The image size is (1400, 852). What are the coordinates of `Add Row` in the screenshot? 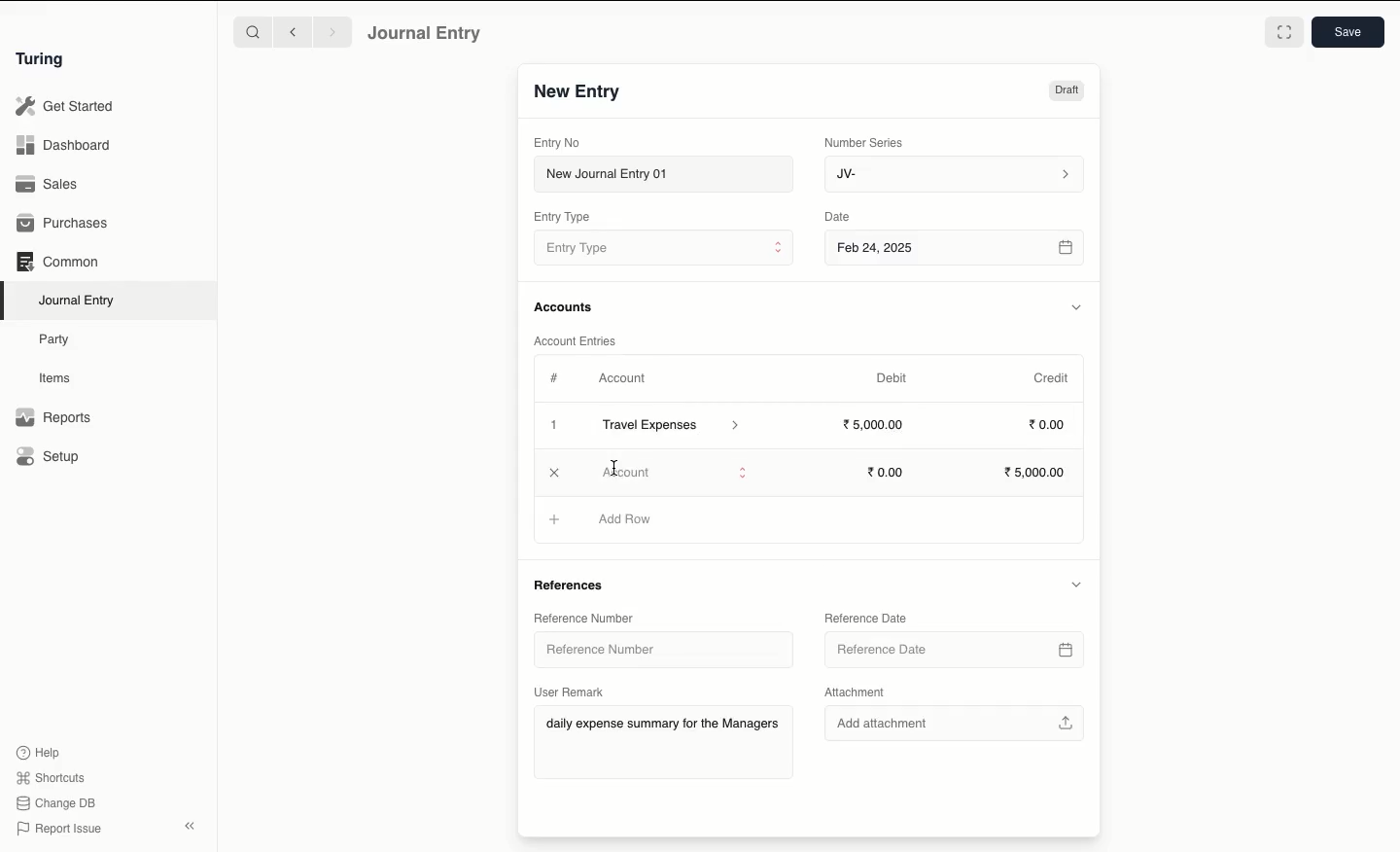 It's located at (623, 470).